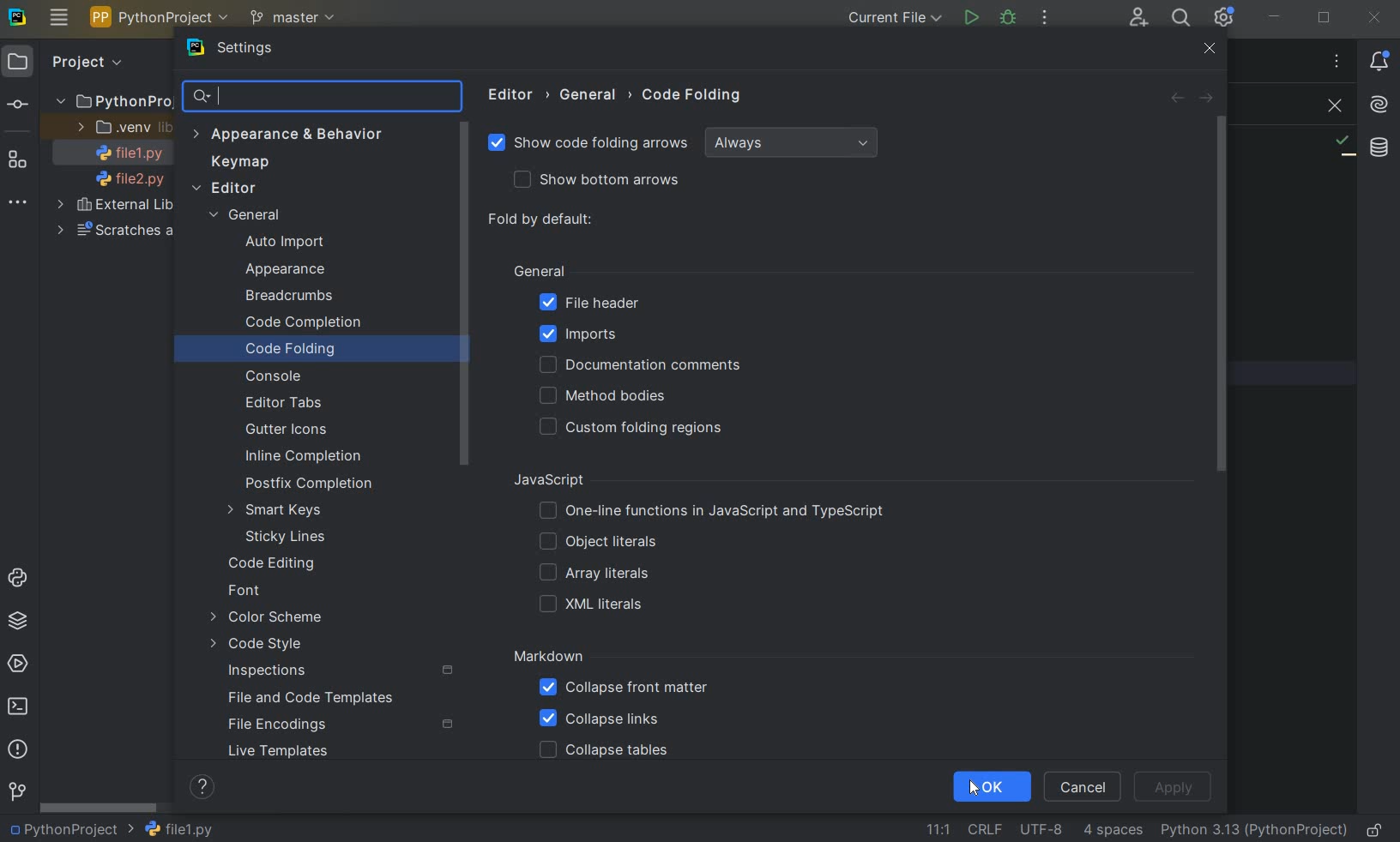  What do you see at coordinates (245, 162) in the screenshot?
I see `KEYMAP` at bounding box center [245, 162].